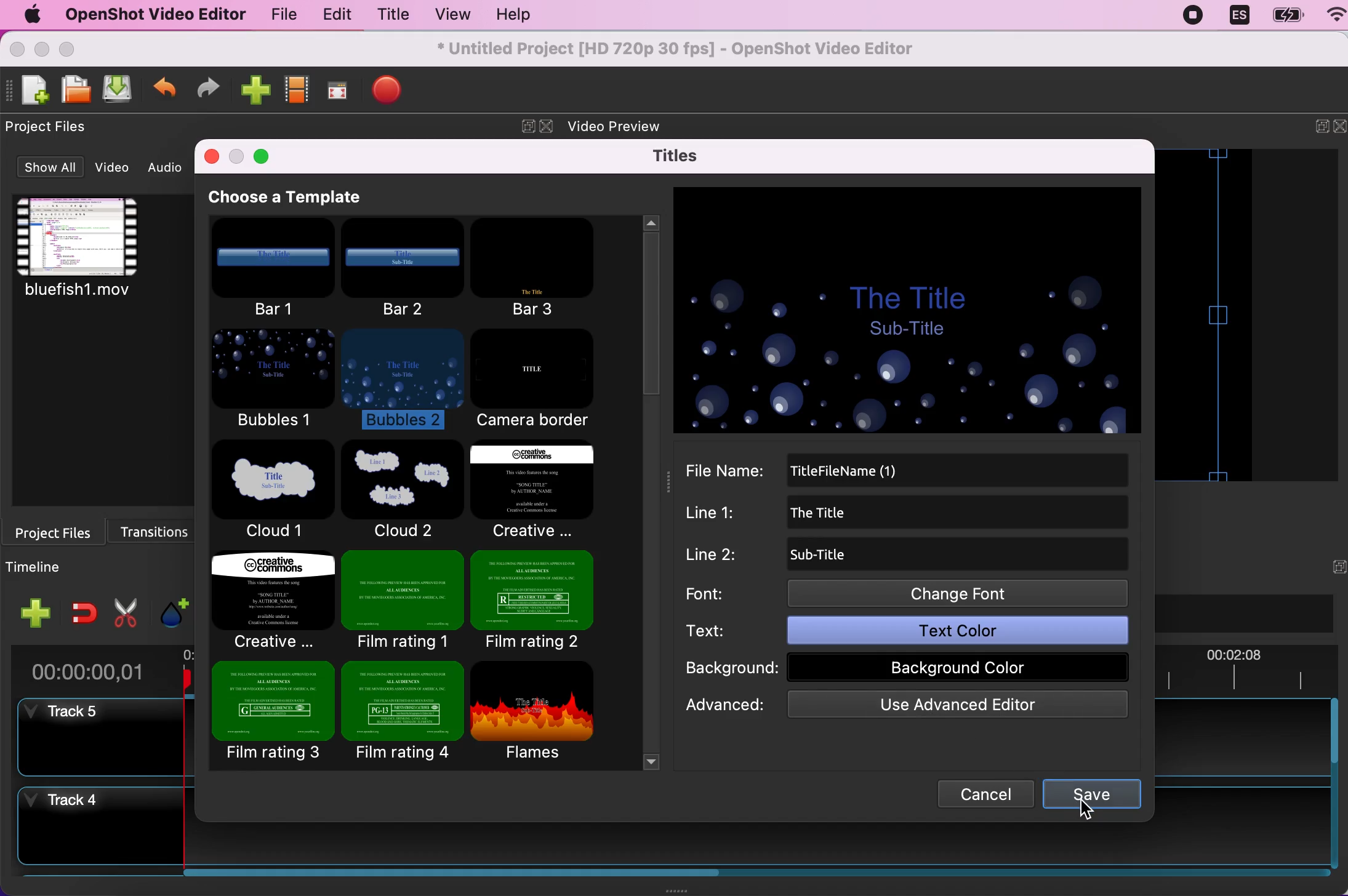 The width and height of the screenshot is (1348, 896). Describe the element at coordinates (161, 529) in the screenshot. I see `transitions` at that location.